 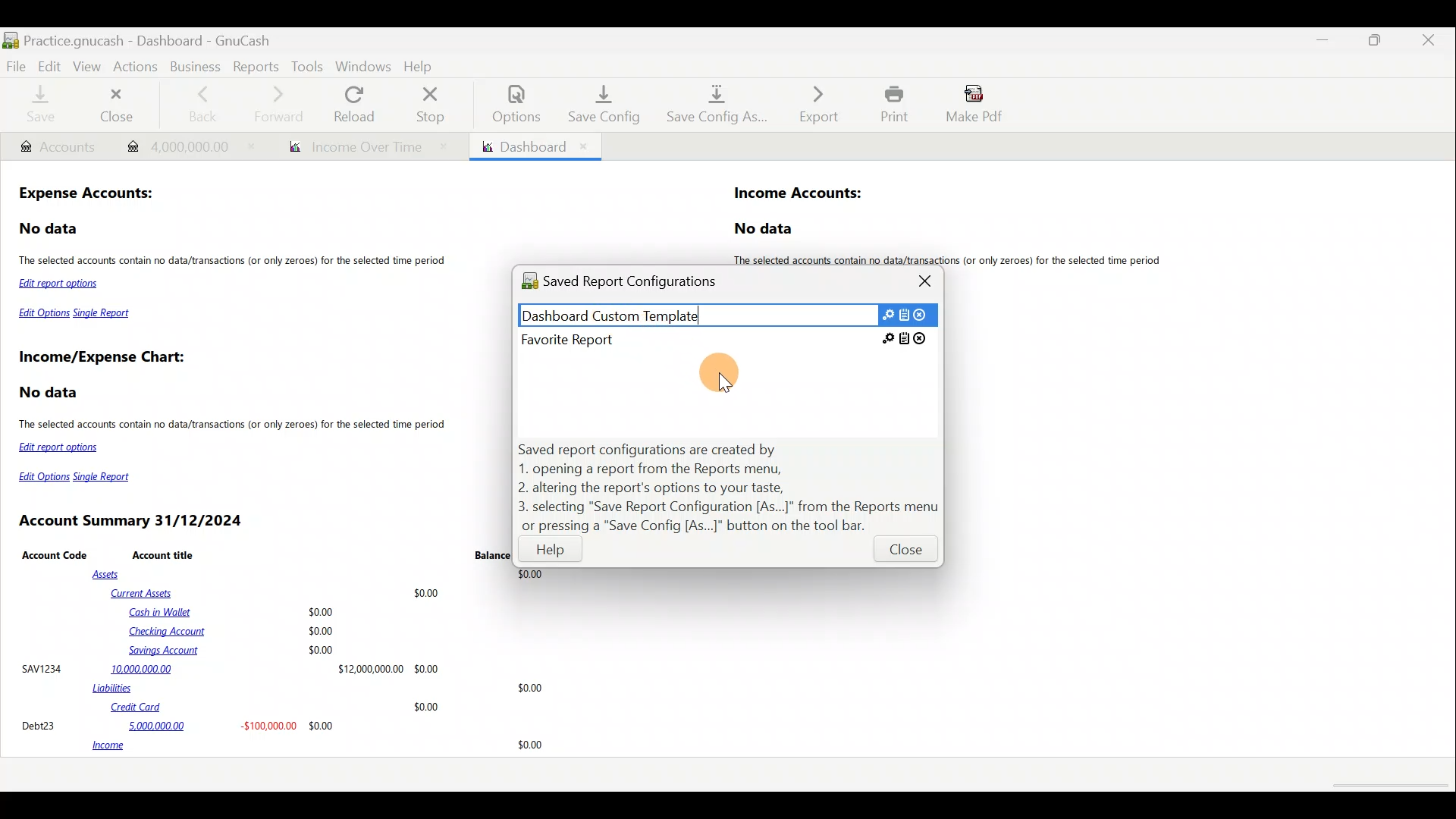 I want to click on Back, so click(x=202, y=102).